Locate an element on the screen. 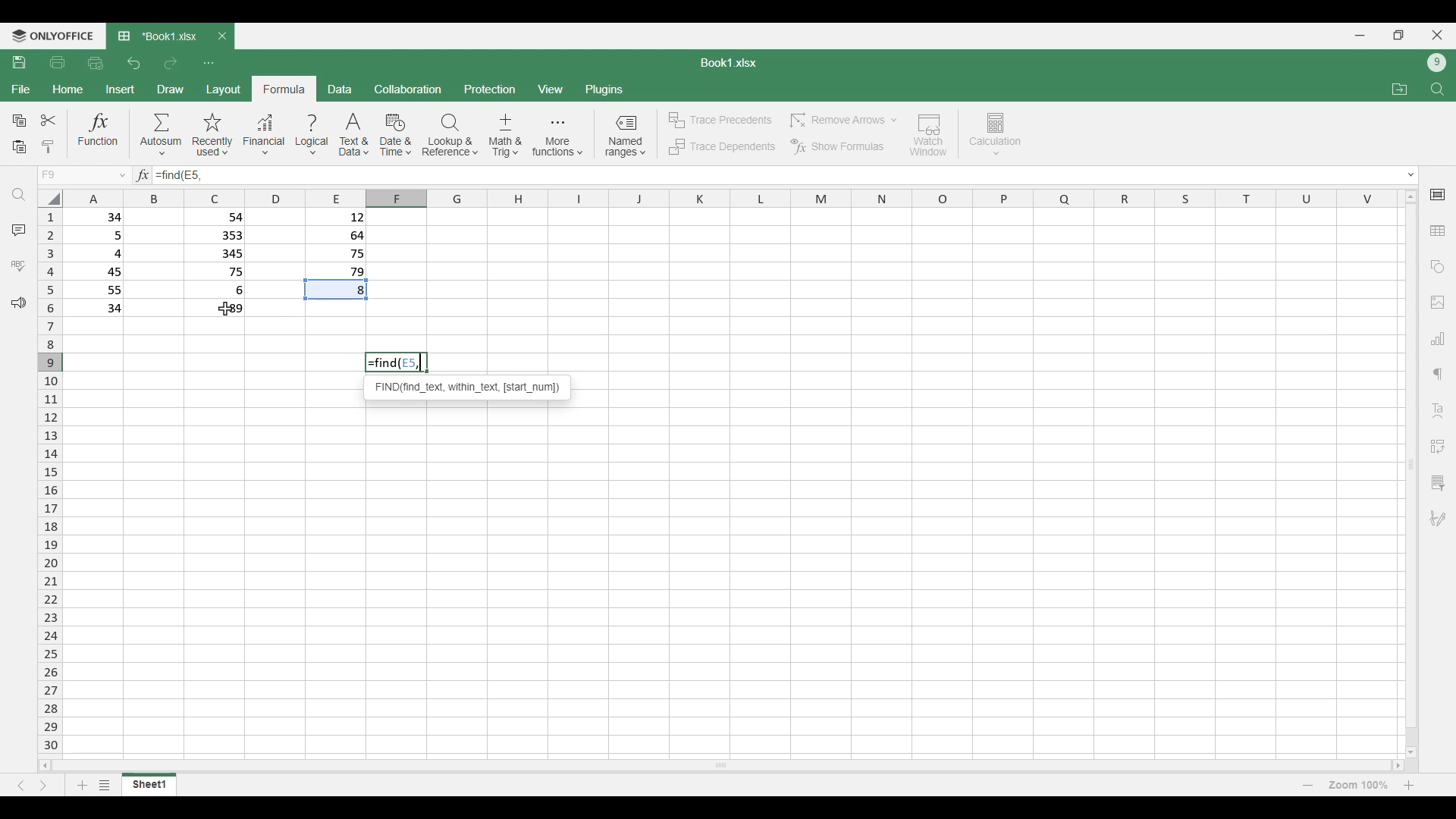 Image resolution: width=1456 pixels, height=819 pixels. Zoom out is located at coordinates (1308, 785).